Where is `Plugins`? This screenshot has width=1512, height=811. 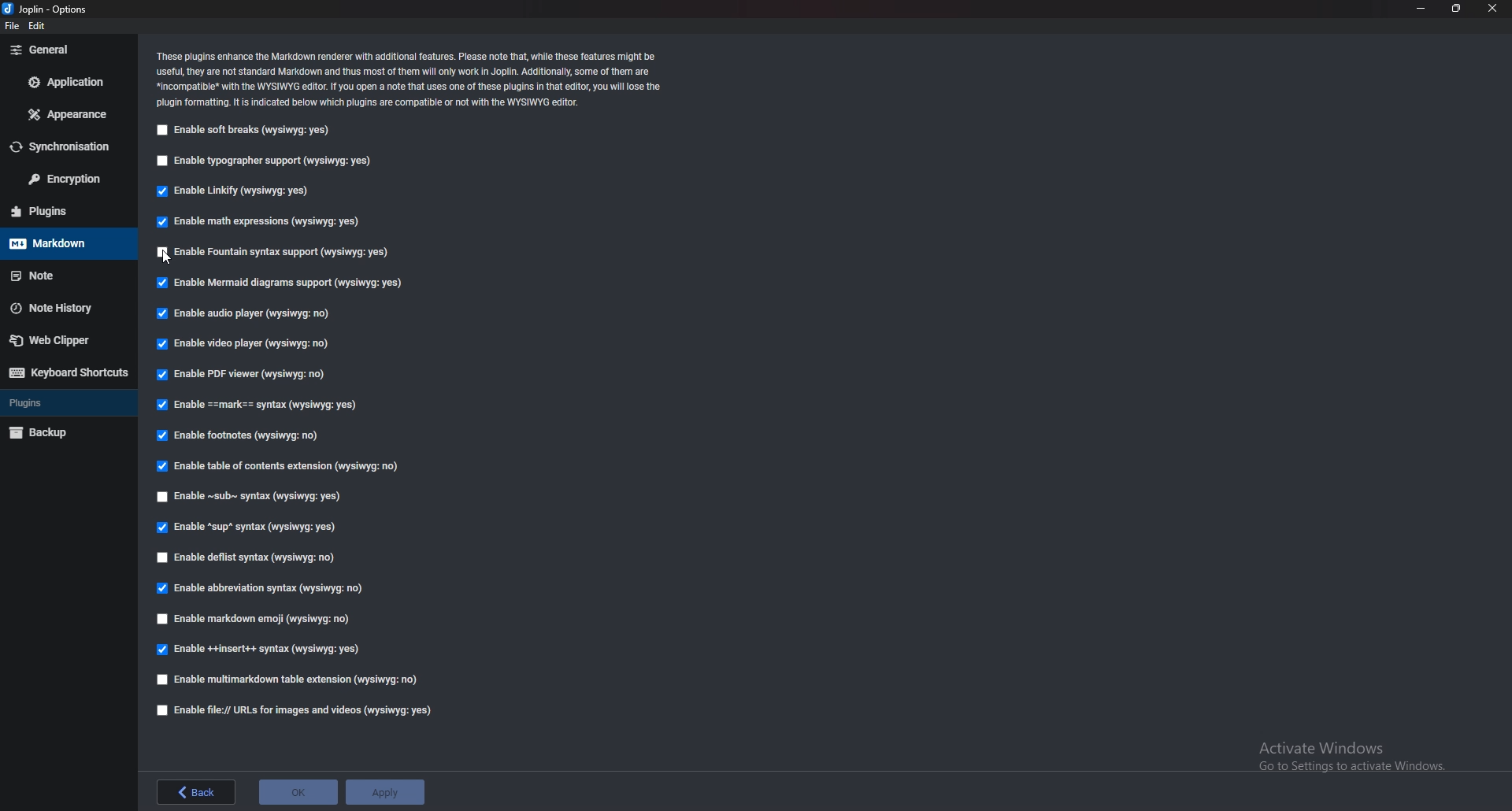
Plugins is located at coordinates (61, 209).